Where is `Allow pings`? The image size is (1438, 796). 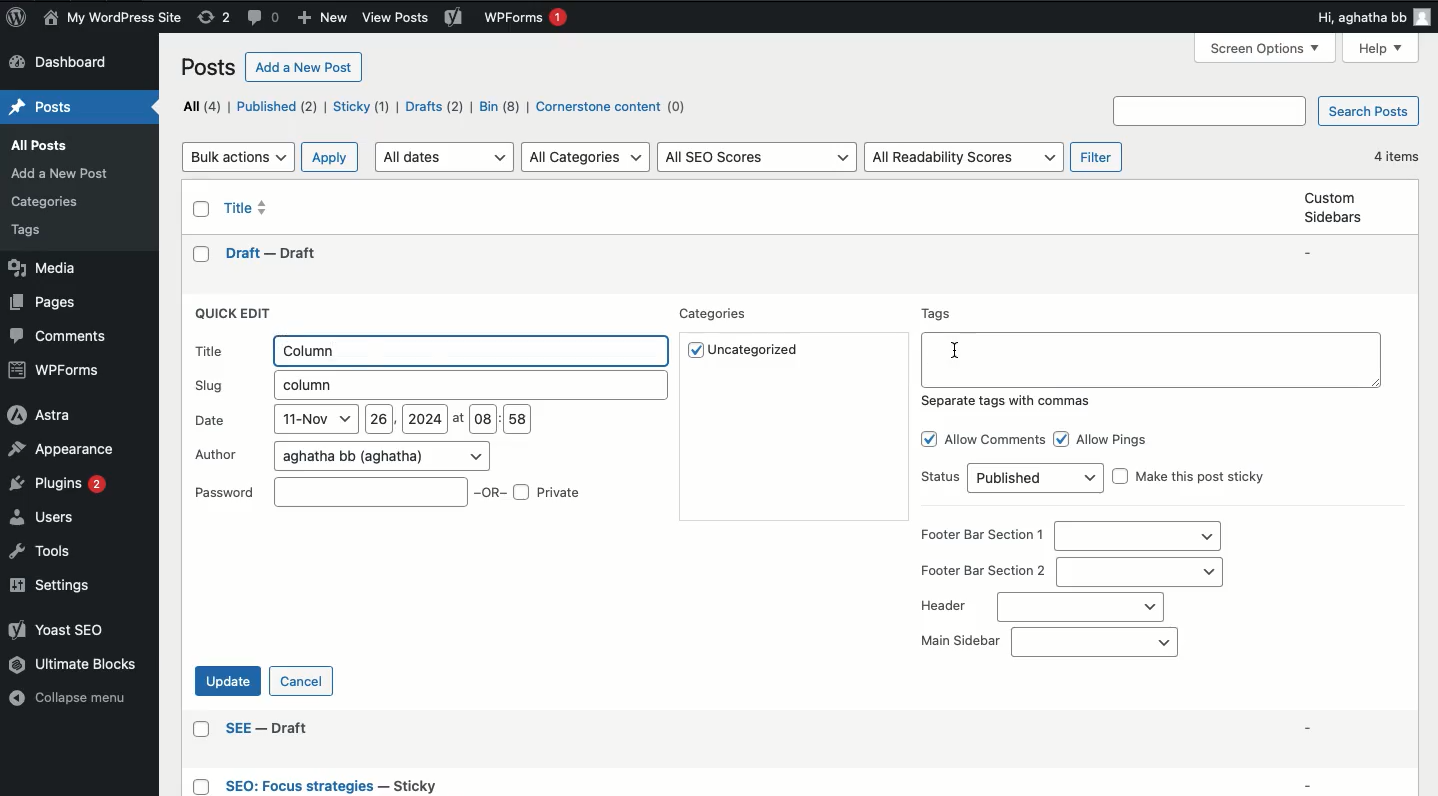 Allow pings is located at coordinates (1103, 442).